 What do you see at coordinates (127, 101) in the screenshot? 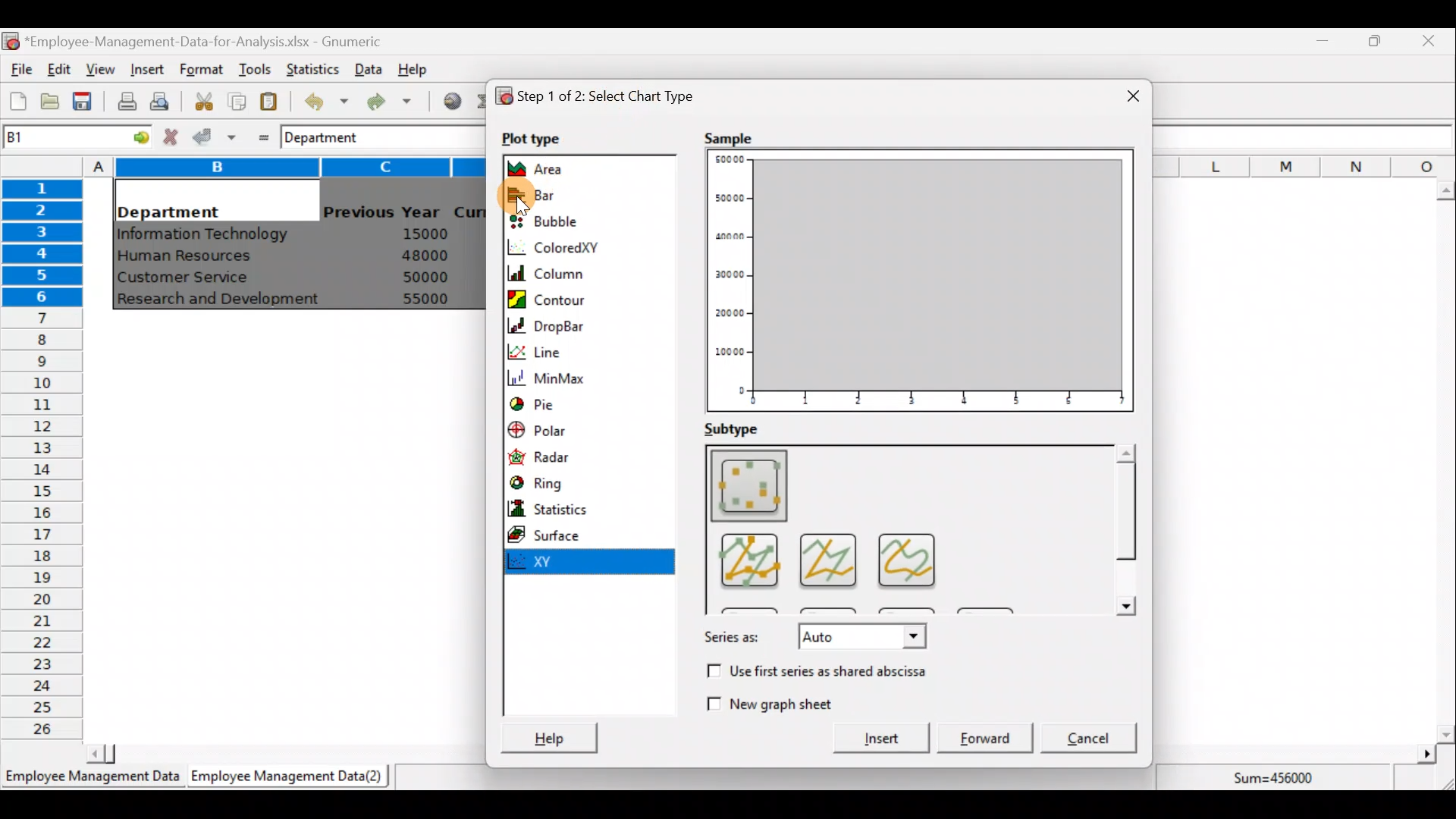
I see `Print current file` at bounding box center [127, 101].